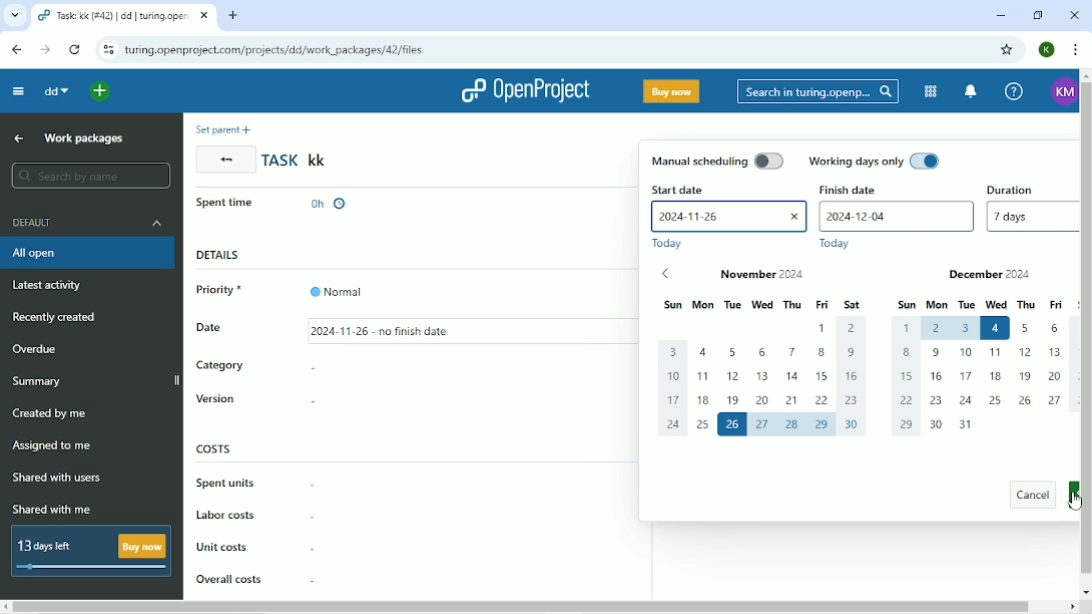 This screenshot has width=1092, height=614. What do you see at coordinates (257, 368) in the screenshot?
I see `Category` at bounding box center [257, 368].